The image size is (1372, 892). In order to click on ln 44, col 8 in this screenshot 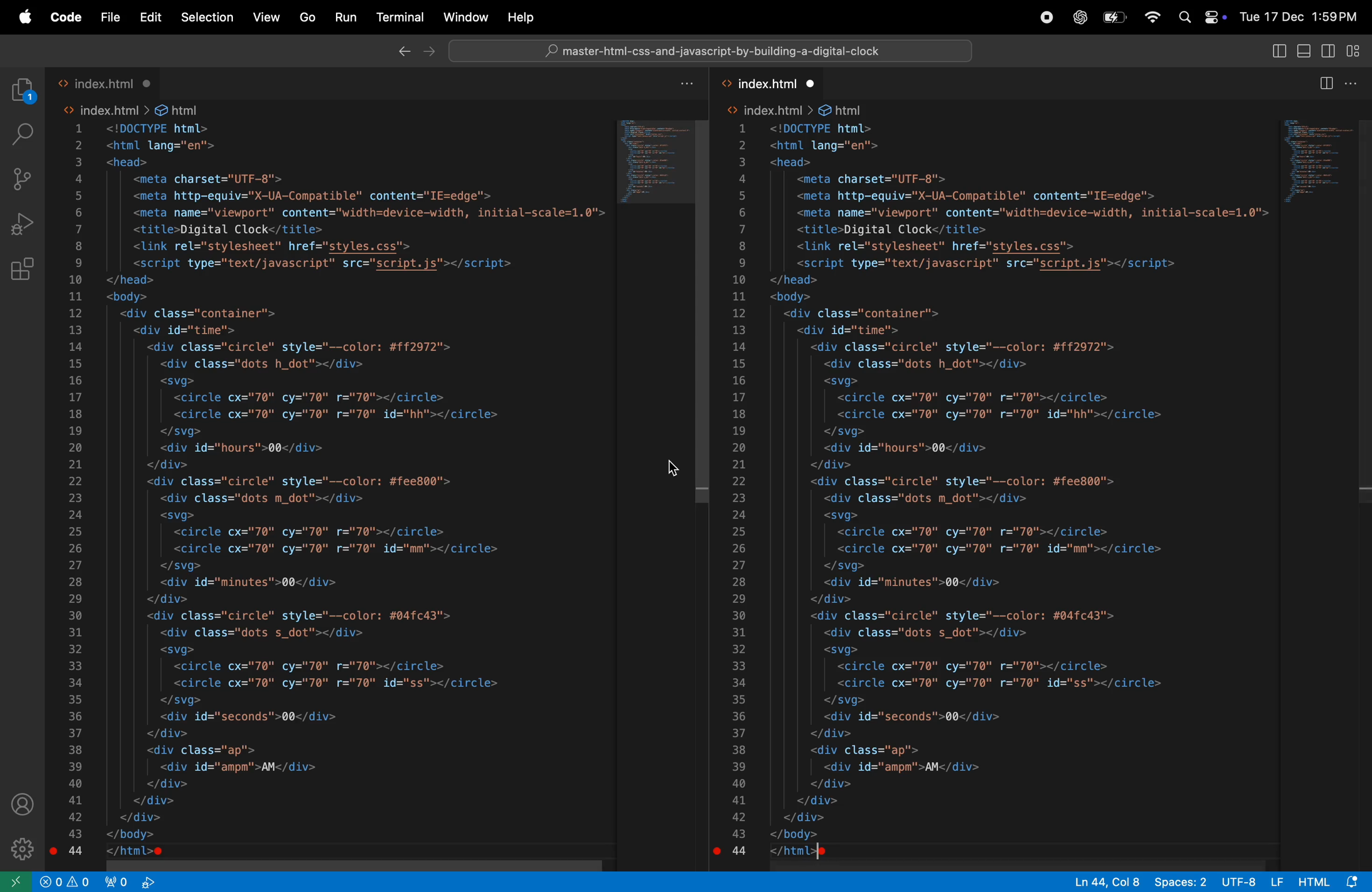, I will do `click(1101, 882)`.